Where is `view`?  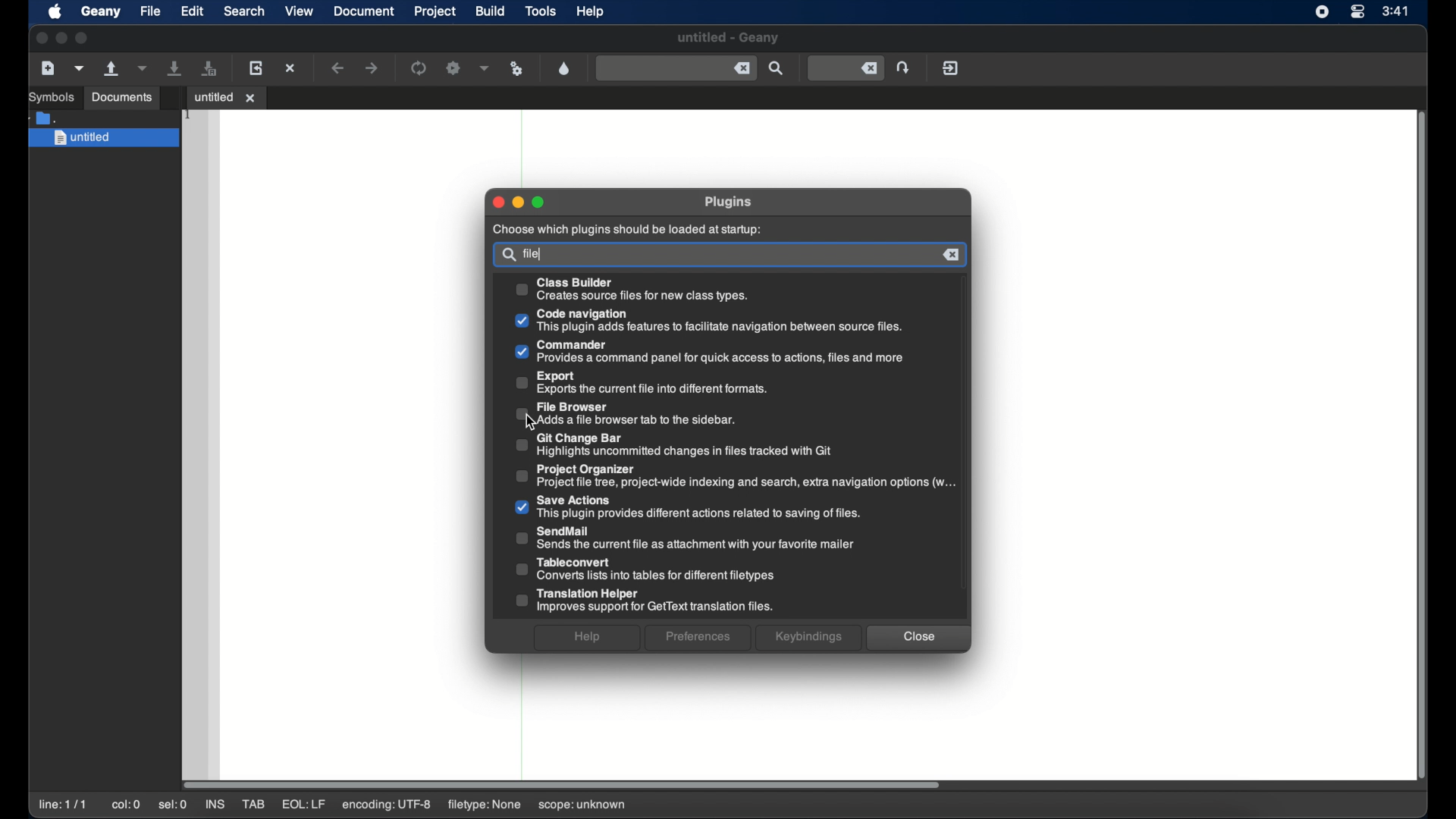 view is located at coordinates (300, 11).